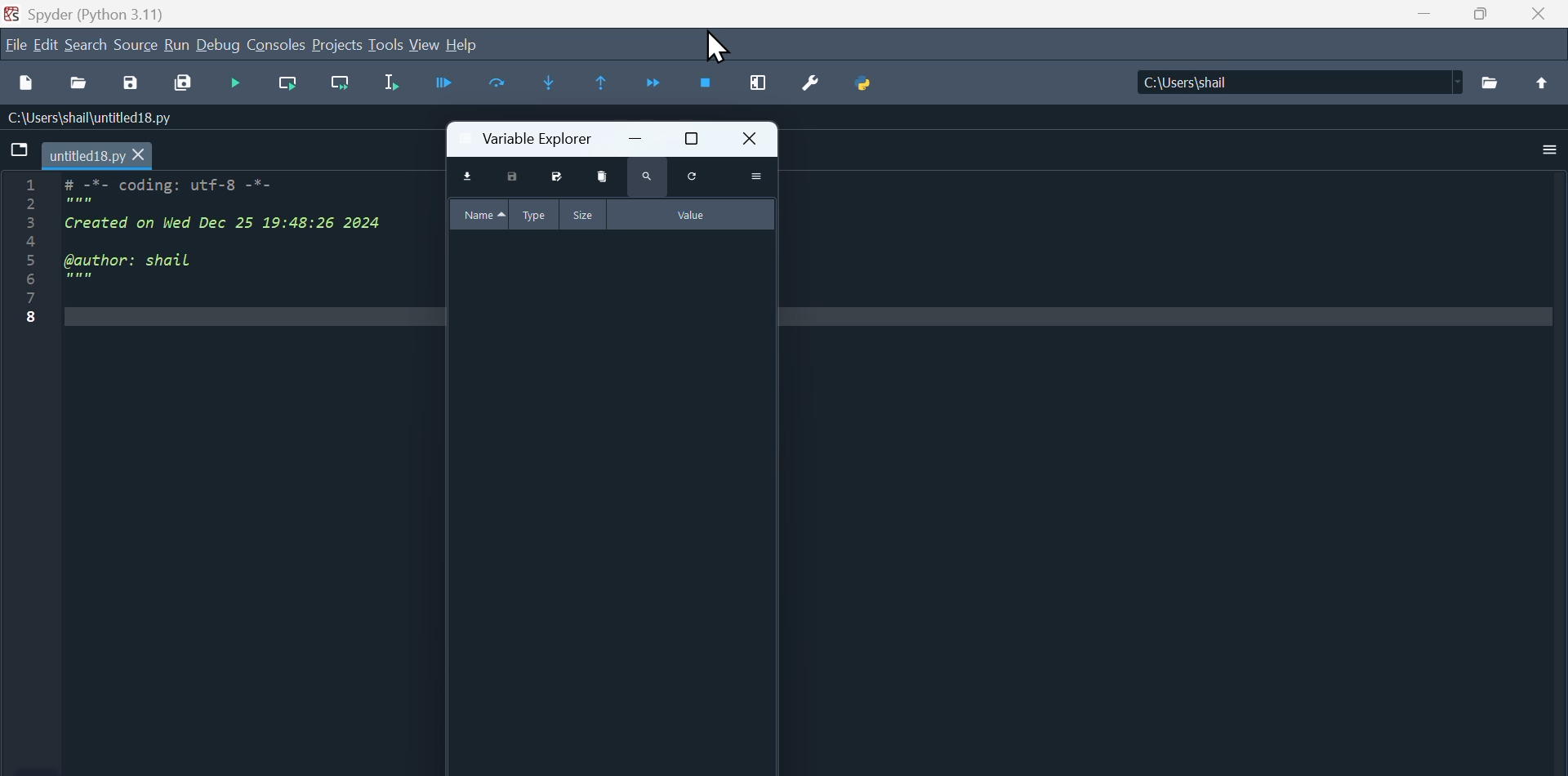 The width and height of the screenshot is (1568, 776). I want to click on Edit, so click(47, 46).